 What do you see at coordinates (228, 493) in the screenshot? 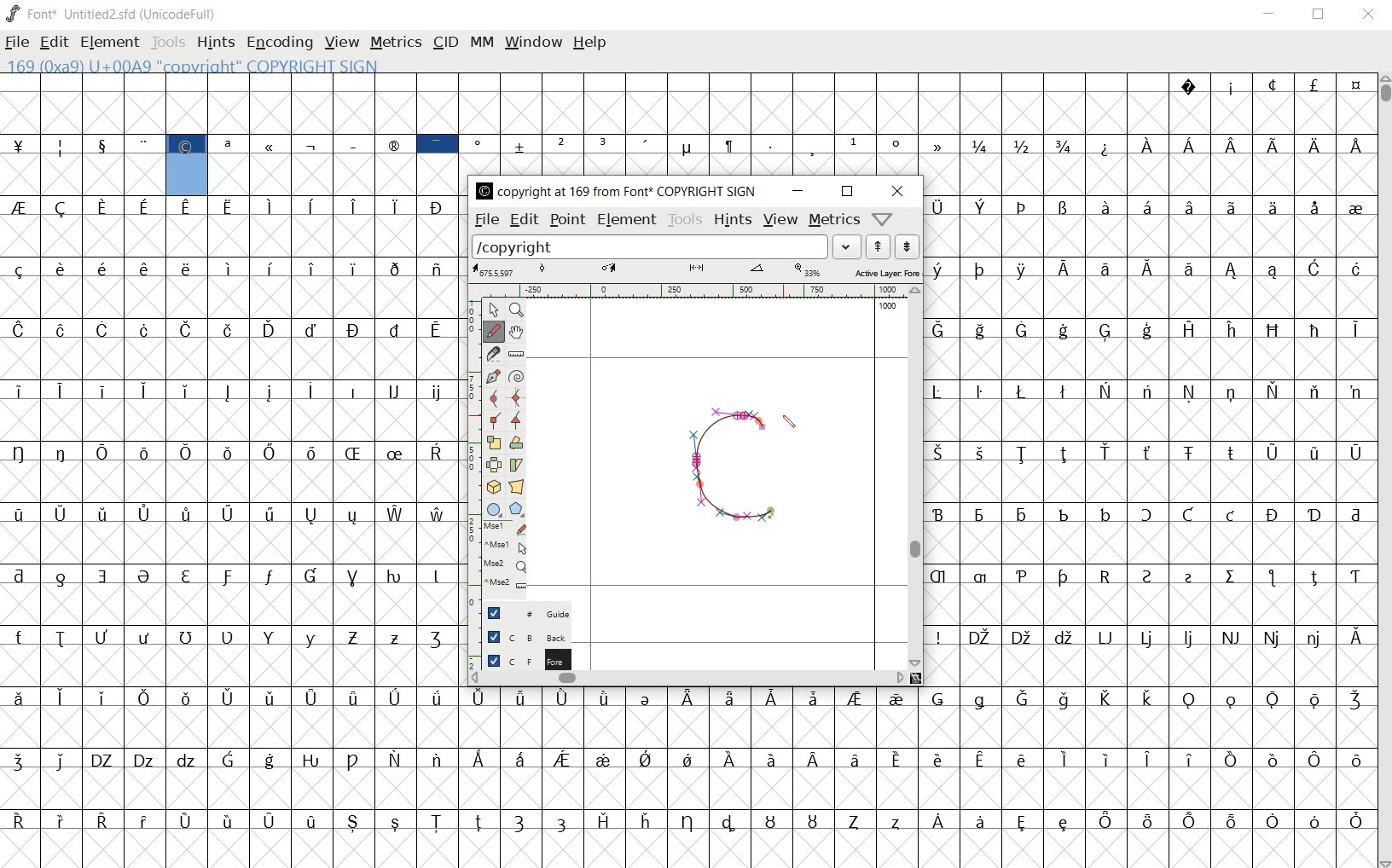
I see `glyphs` at bounding box center [228, 493].